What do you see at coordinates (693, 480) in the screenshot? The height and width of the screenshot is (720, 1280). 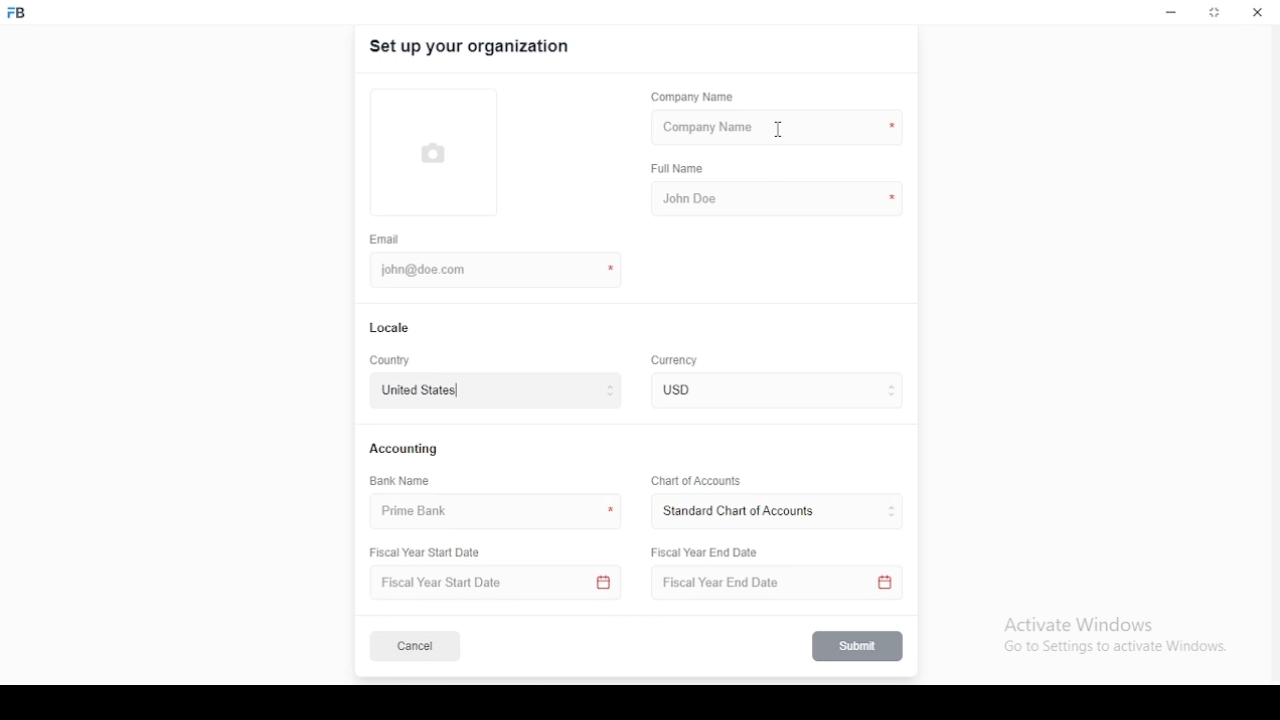 I see `Chart of Accounts` at bounding box center [693, 480].